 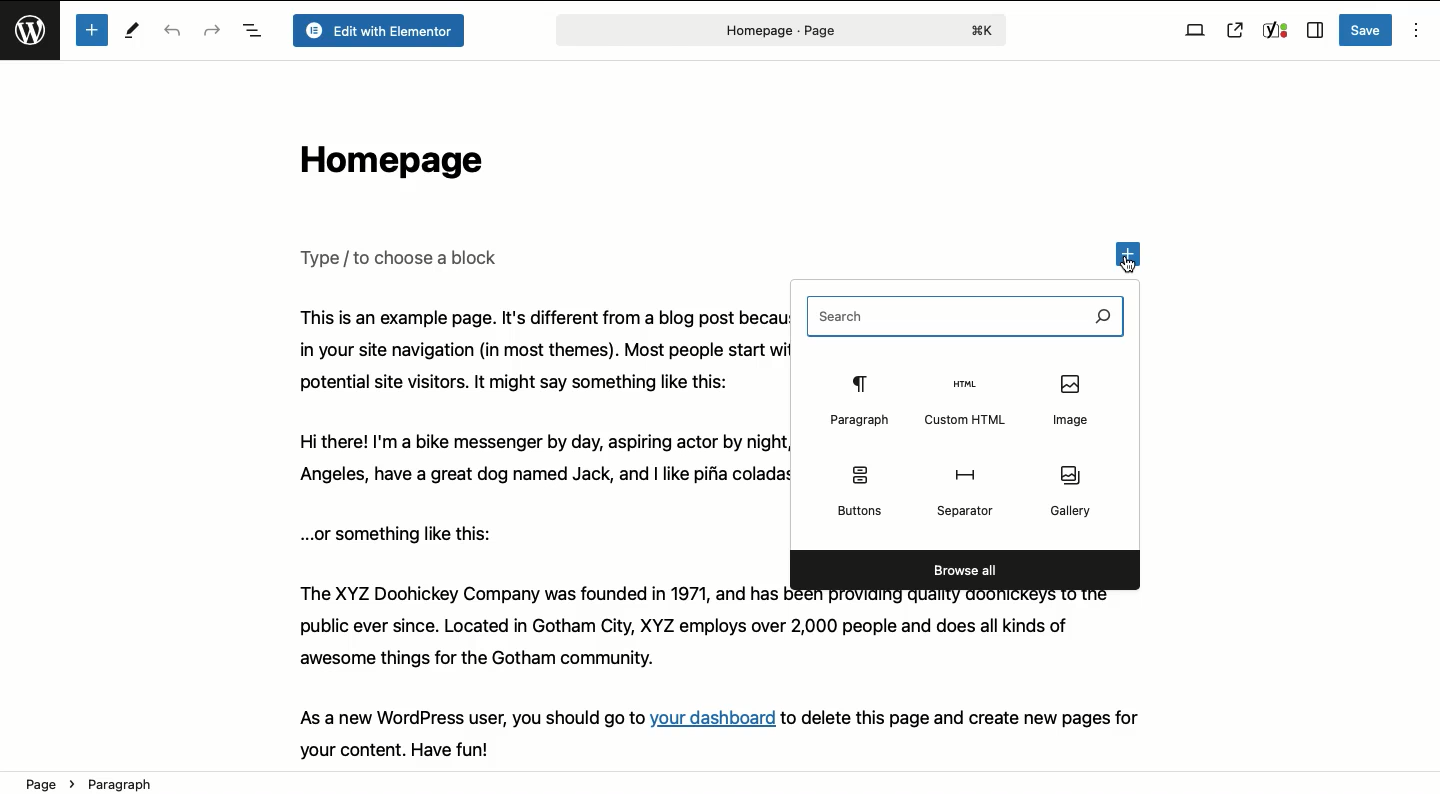 I want to click on Save, so click(x=1367, y=30).